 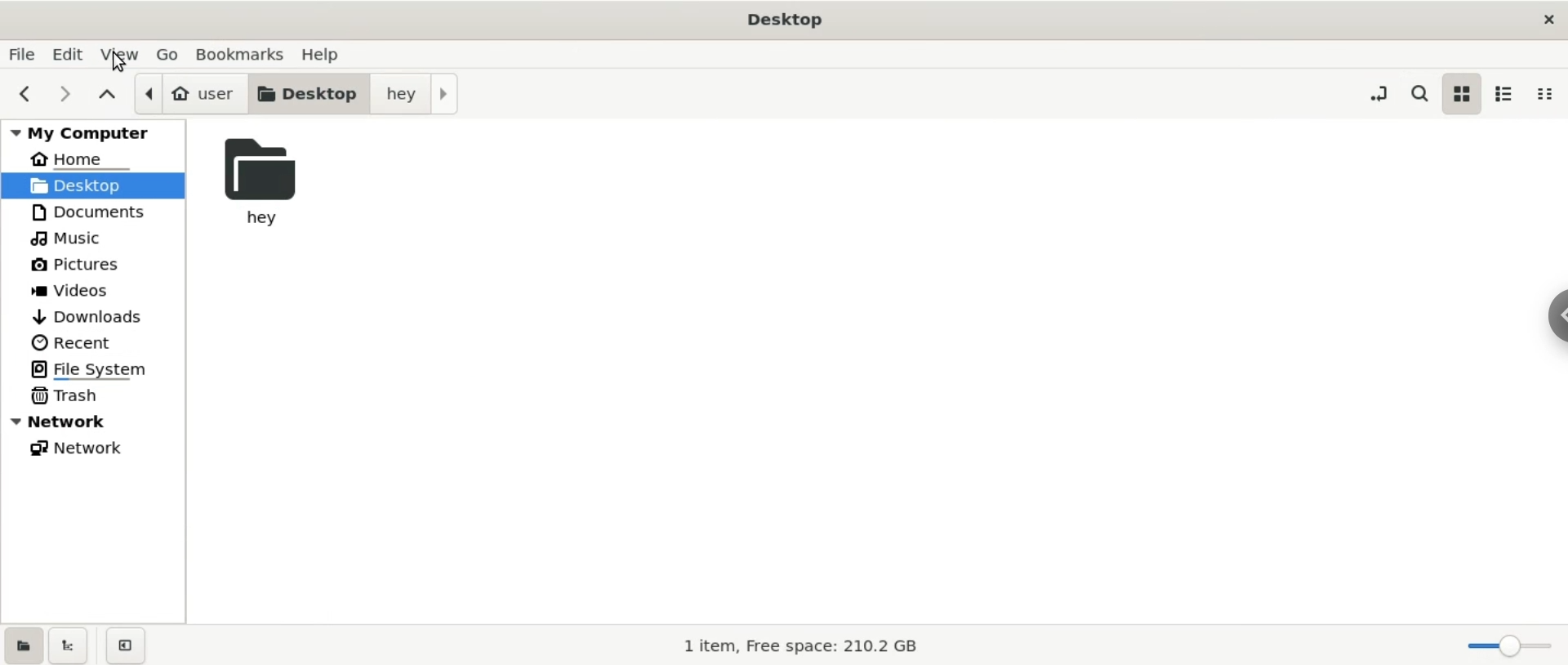 I want to click on previous, so click(x=25, y=91).